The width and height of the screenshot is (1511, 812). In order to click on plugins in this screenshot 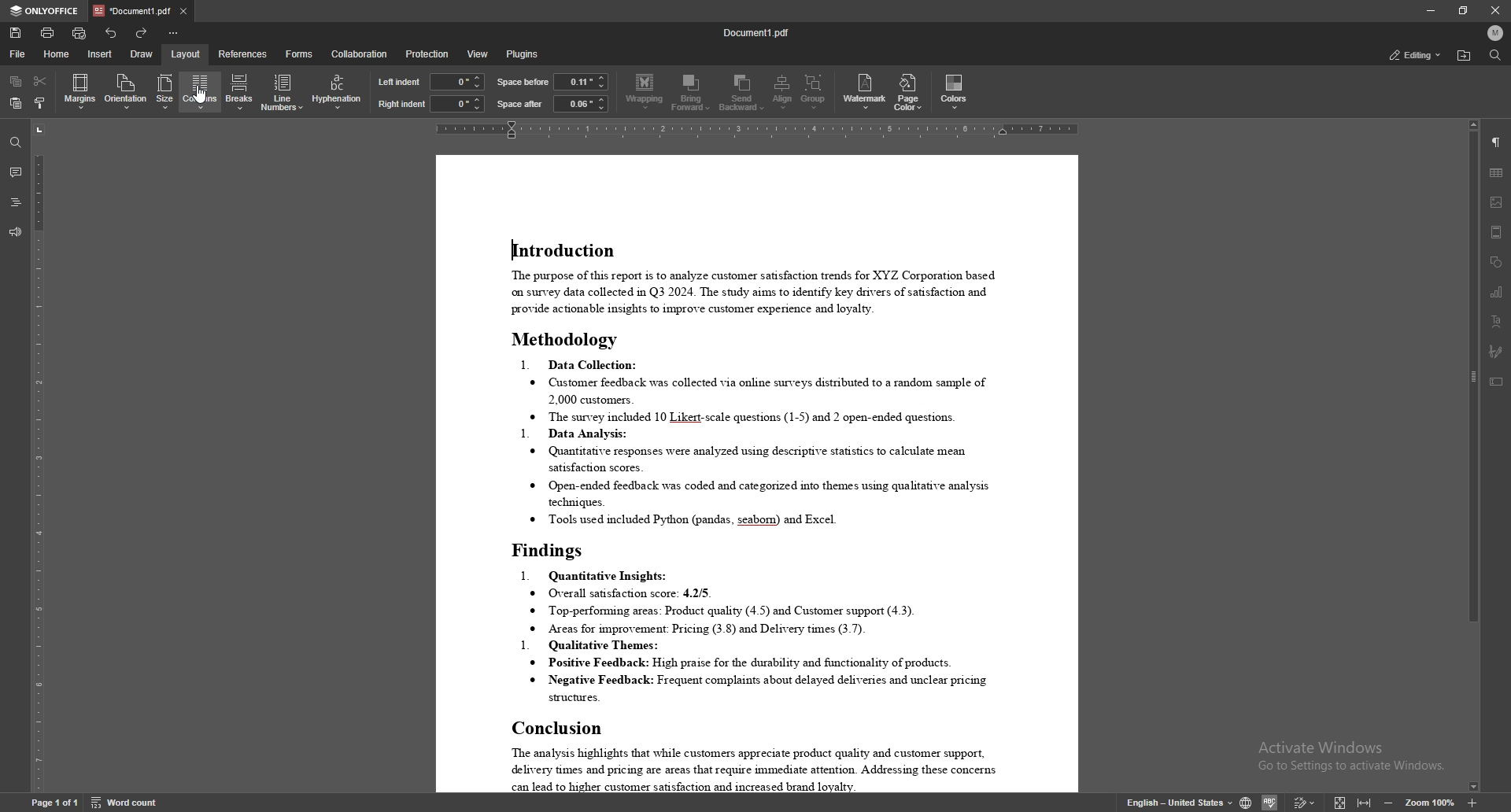, I will do `click(525, 54)`.